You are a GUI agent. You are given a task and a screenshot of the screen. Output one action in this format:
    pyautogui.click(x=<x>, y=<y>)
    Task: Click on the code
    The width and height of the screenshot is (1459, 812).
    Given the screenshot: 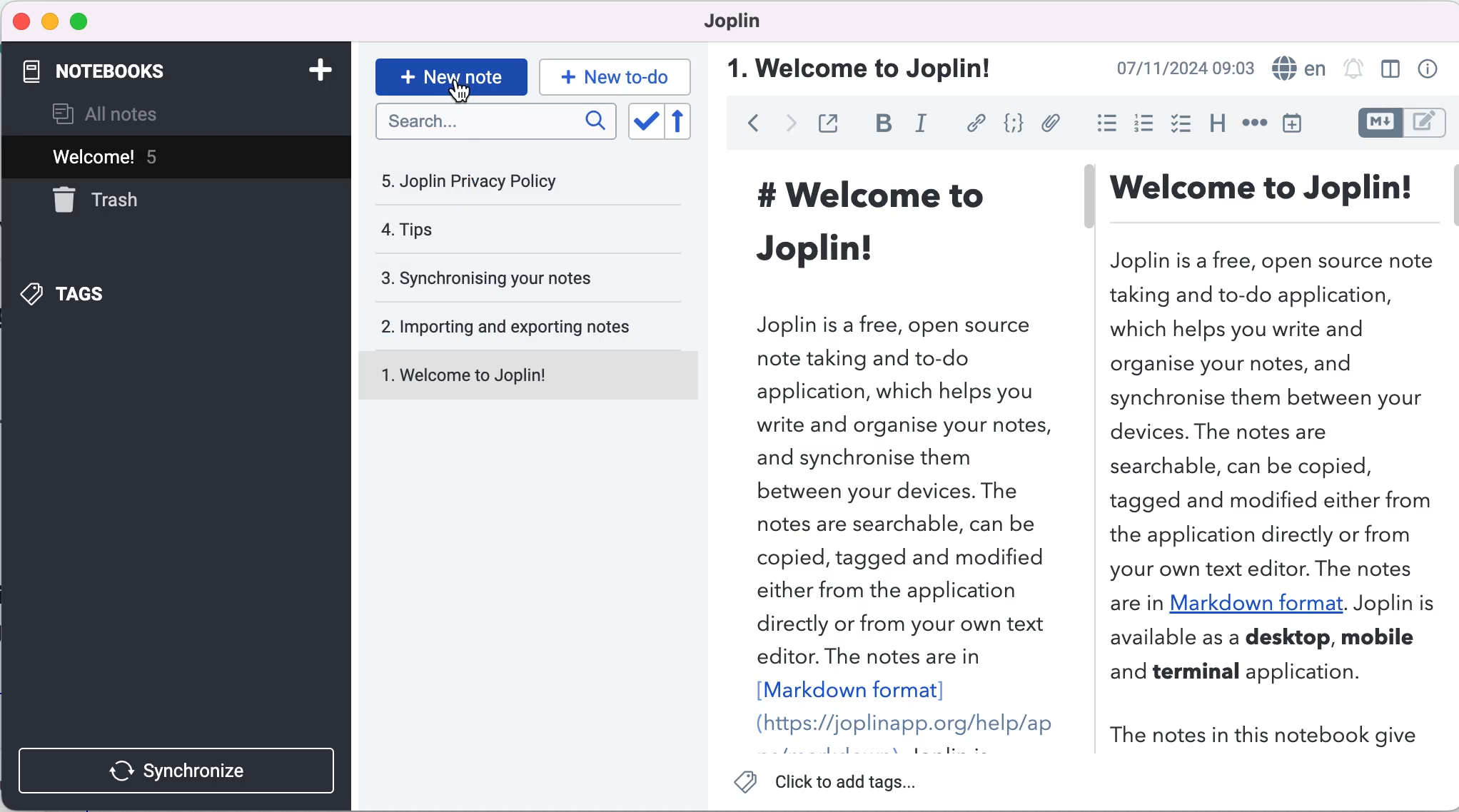 What is the action you would take?
    pyautogui.click(x=1014, y=123)
    